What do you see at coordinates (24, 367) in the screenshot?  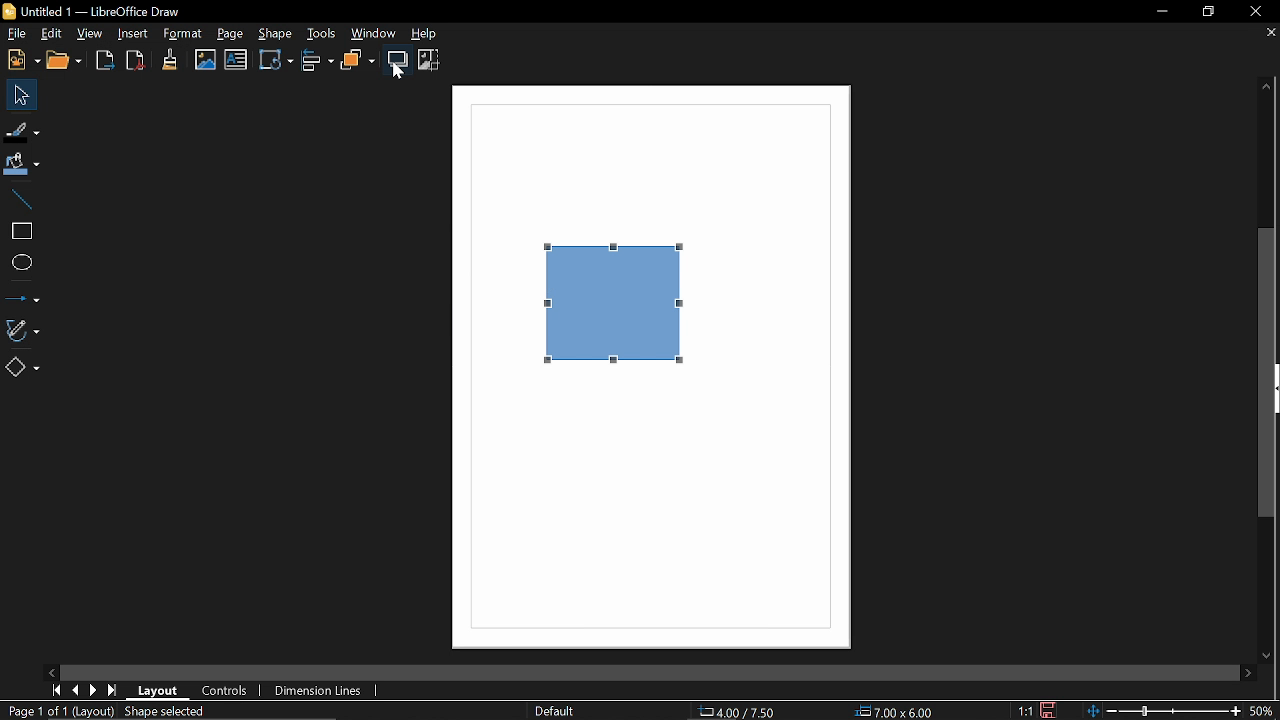 I see `Basic shapes` at bounding box center [24, 367].